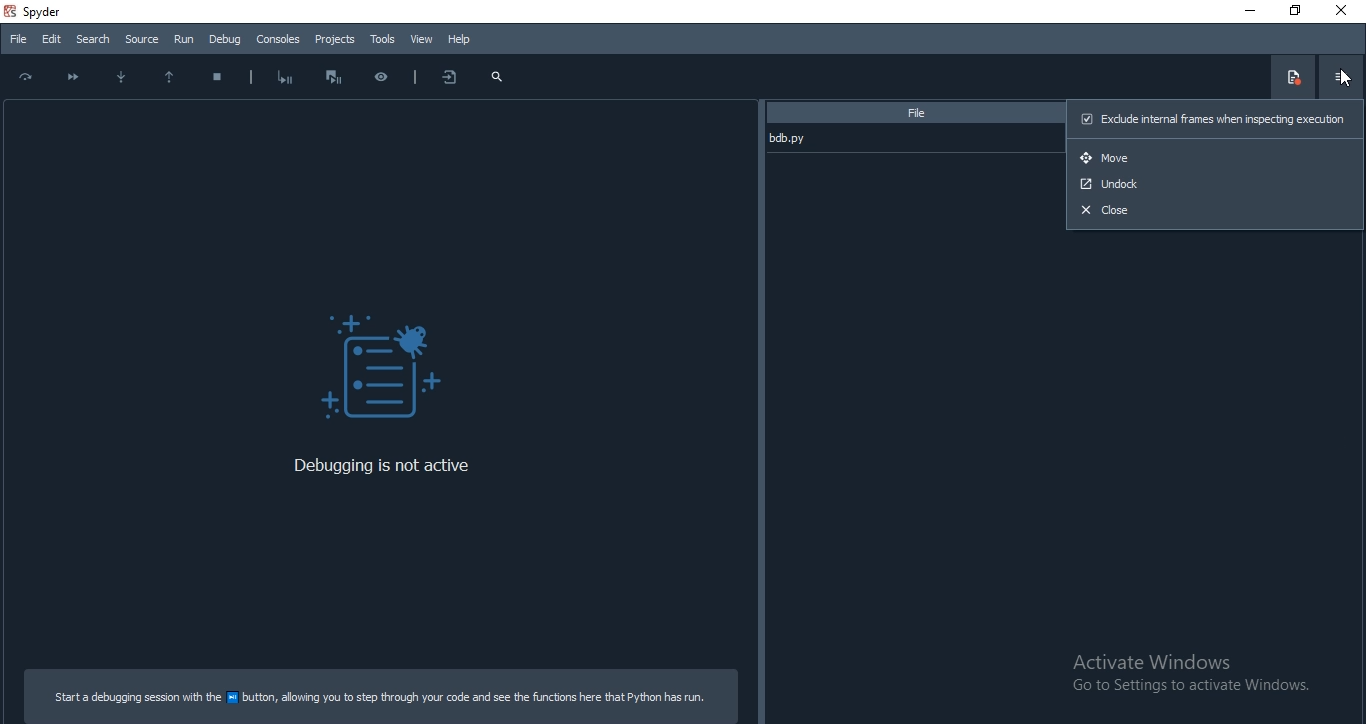 The width and height of the screenshot is (1366, 724). I want to click on Execute till; function or methods return, so click(171, 80).